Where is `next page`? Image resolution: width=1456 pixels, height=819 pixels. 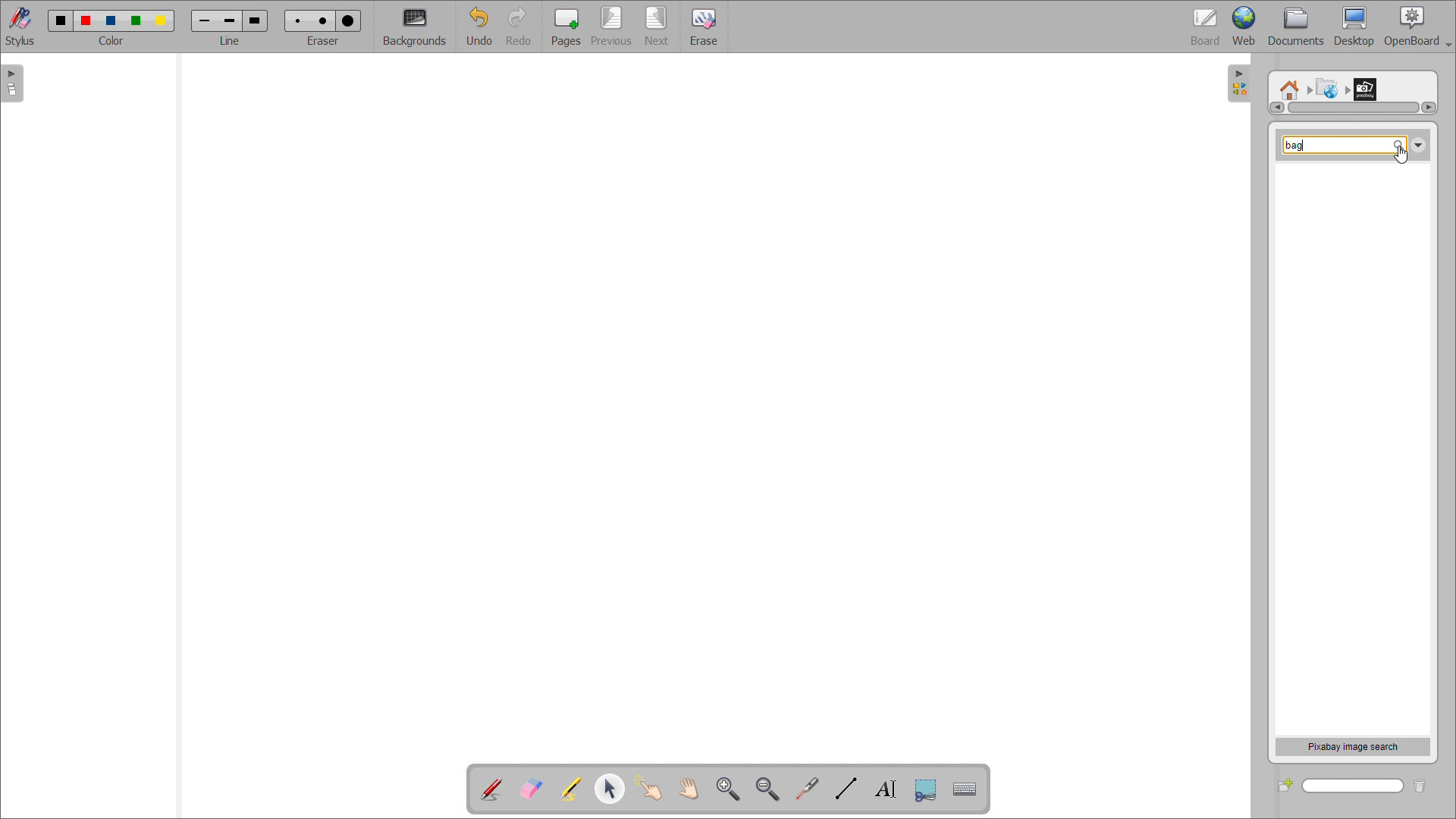
next page is located at coordinates (658, 26).